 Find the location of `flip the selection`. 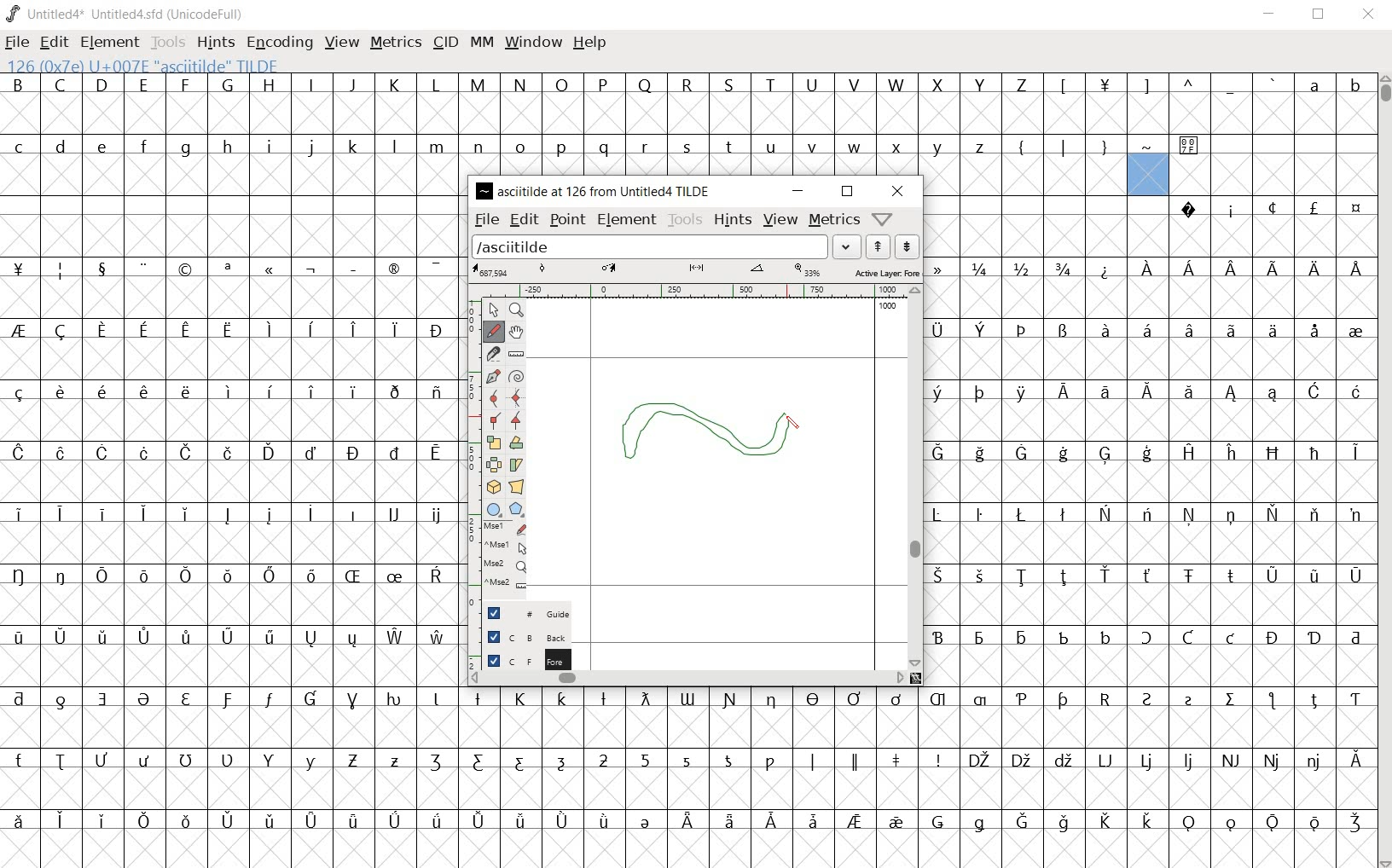

flip the selection is located at coordinates (495, 465).